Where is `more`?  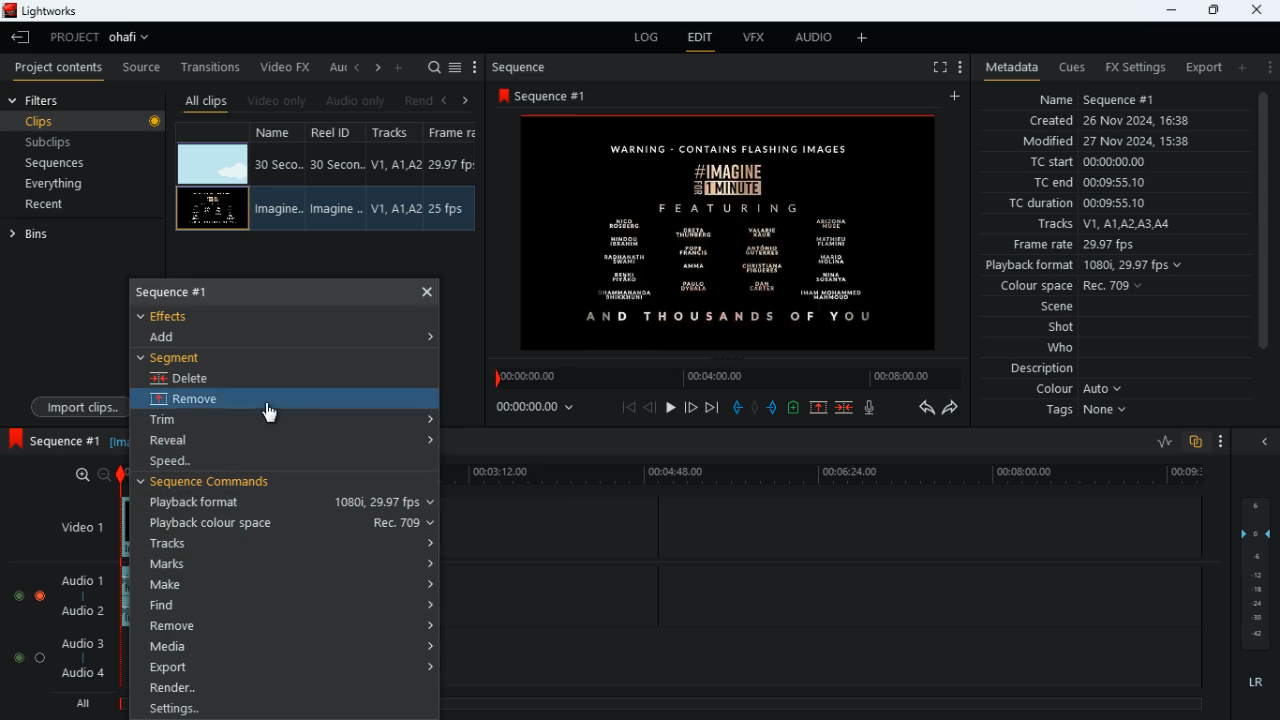 more is located at coordinates (861, 39).